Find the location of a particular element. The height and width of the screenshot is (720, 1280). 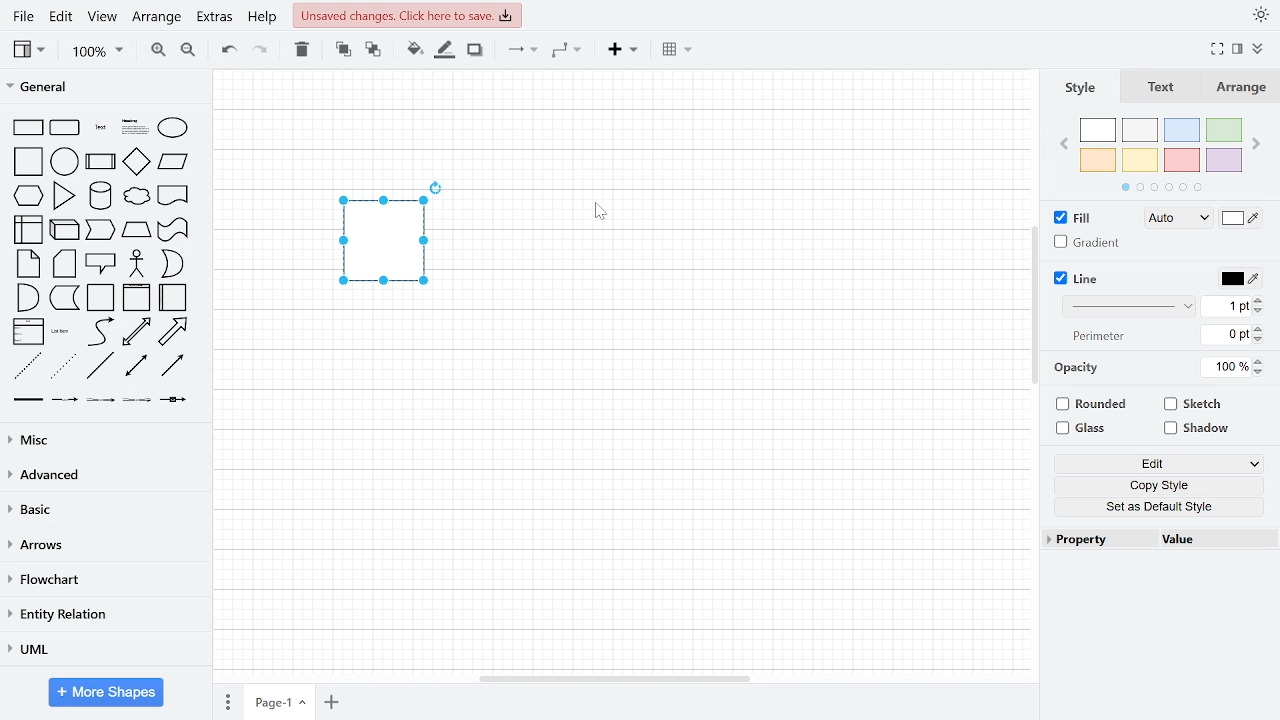

trapezoid is located at coordinates (137, 229).